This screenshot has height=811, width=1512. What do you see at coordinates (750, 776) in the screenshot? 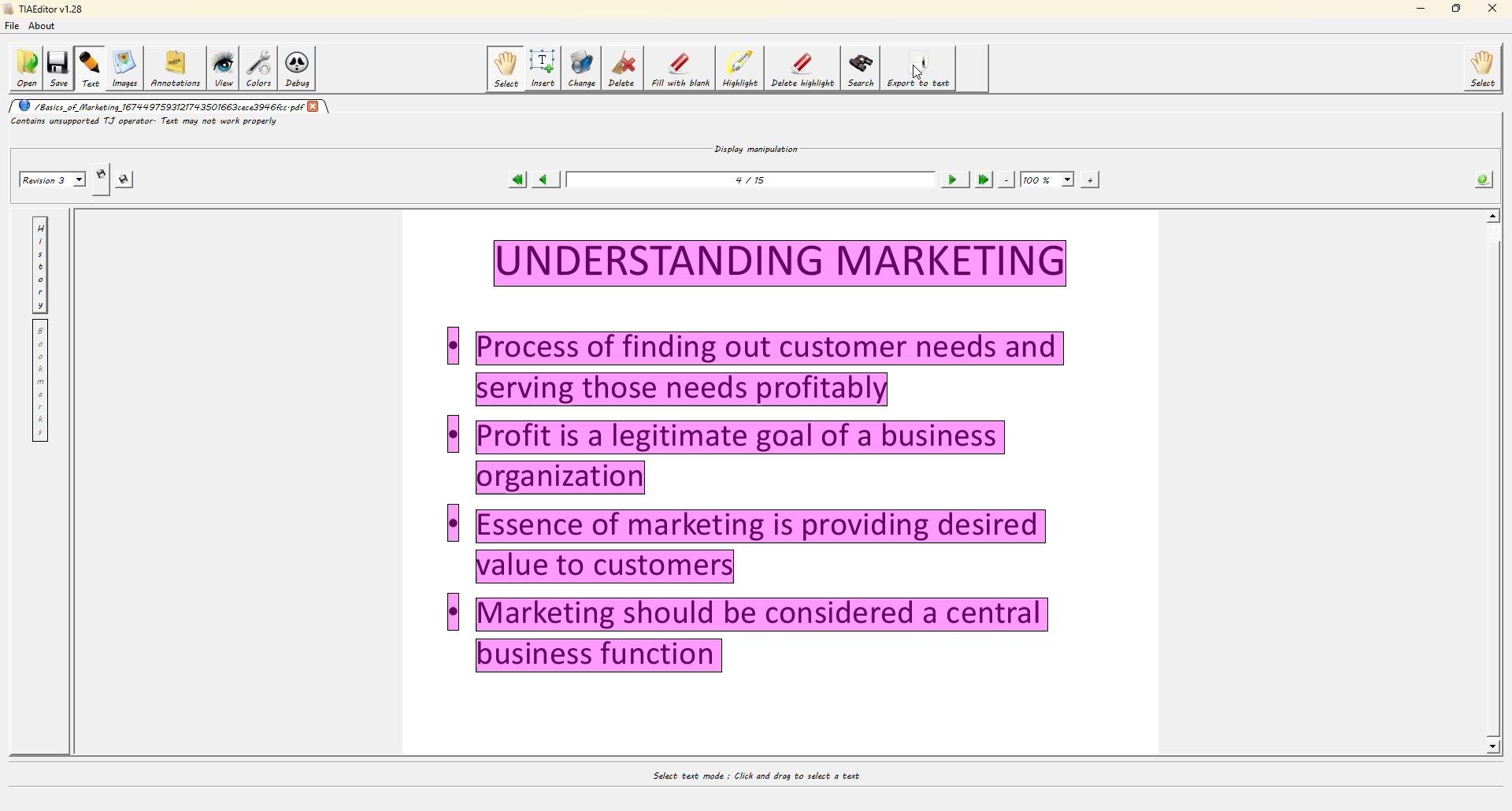
I see `select text mode` at bounding box center [750, 776].